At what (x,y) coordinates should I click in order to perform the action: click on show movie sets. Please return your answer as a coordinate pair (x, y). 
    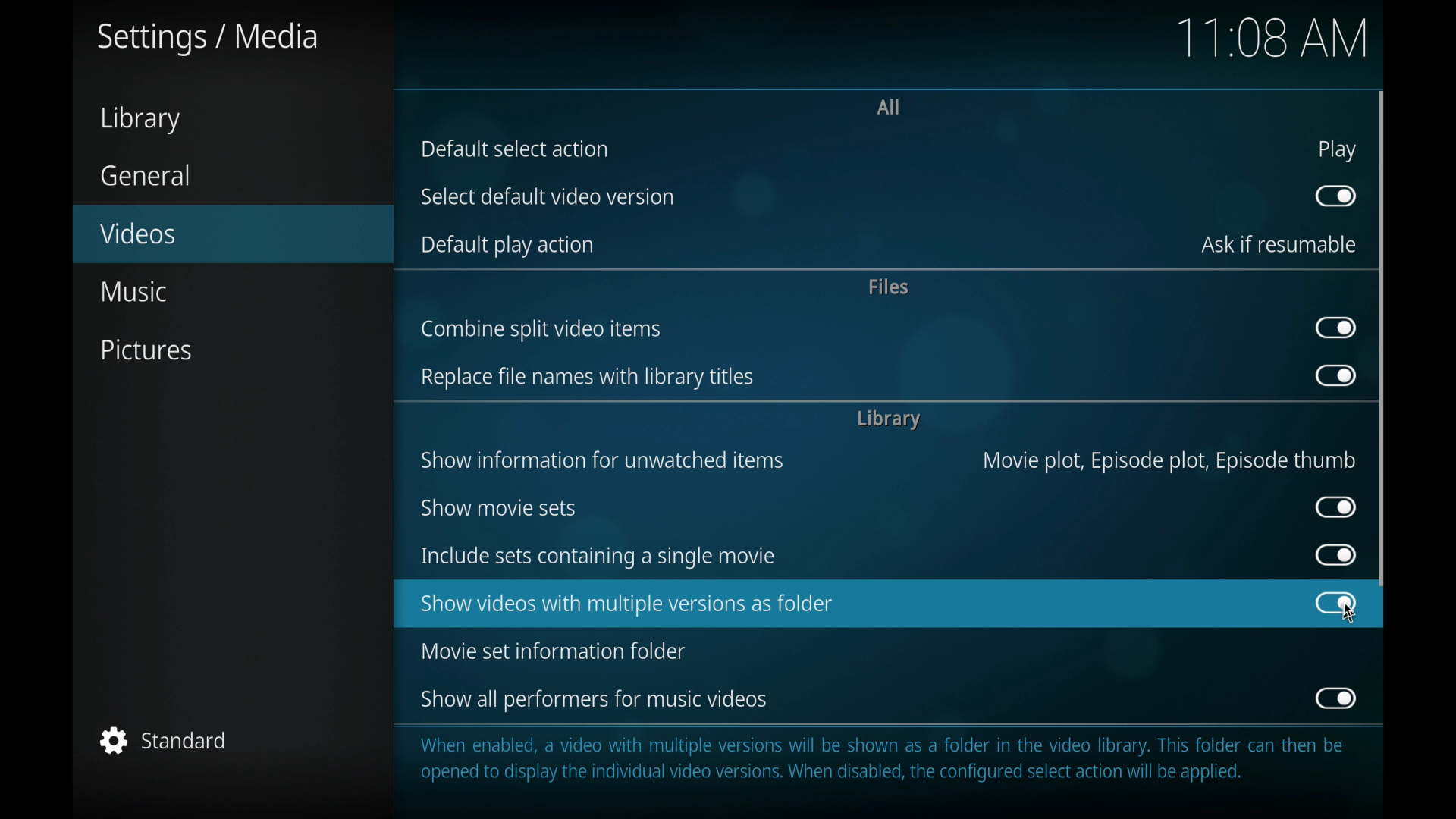
    Looking at the image, I should click on (500, 508).